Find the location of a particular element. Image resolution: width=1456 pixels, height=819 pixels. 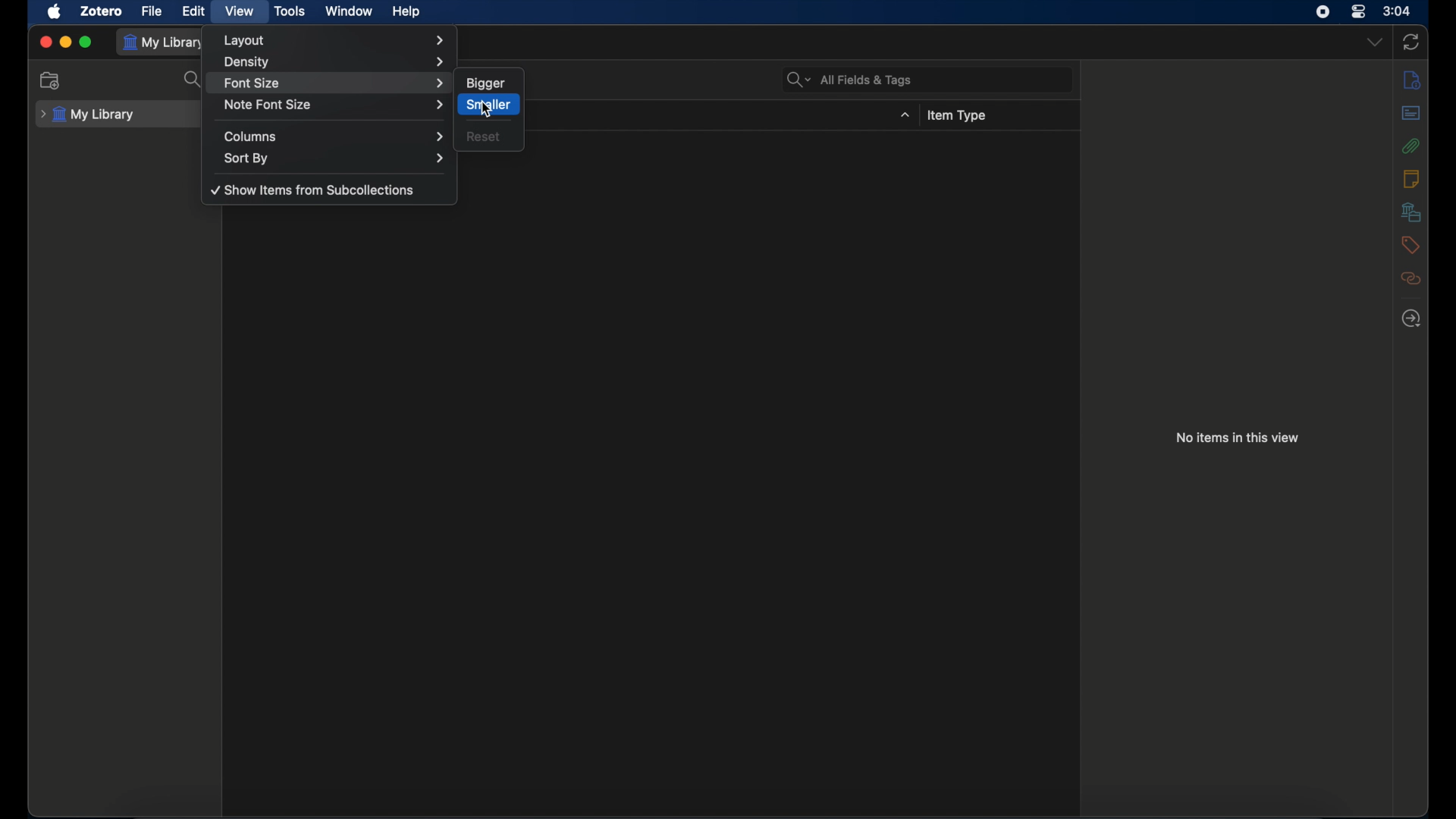

sort by is located at coordinates (335, 159).